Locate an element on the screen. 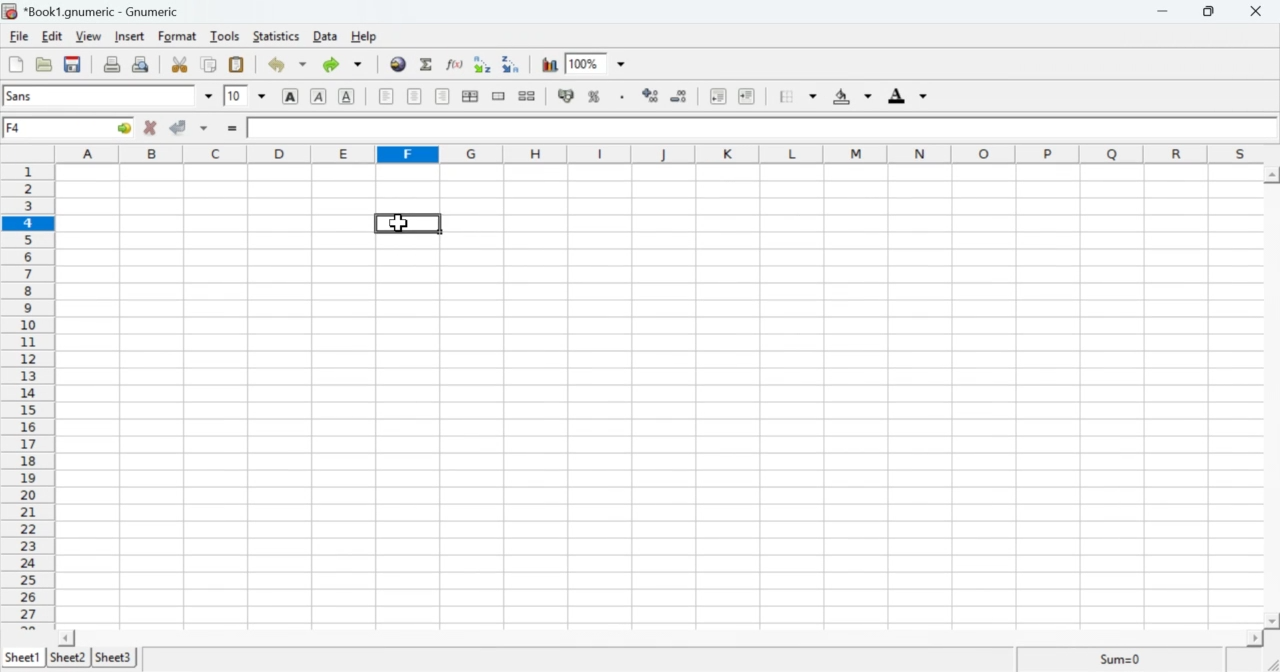 This screenshot has width=1280, height=672. View is located at coordinates (88, 36).